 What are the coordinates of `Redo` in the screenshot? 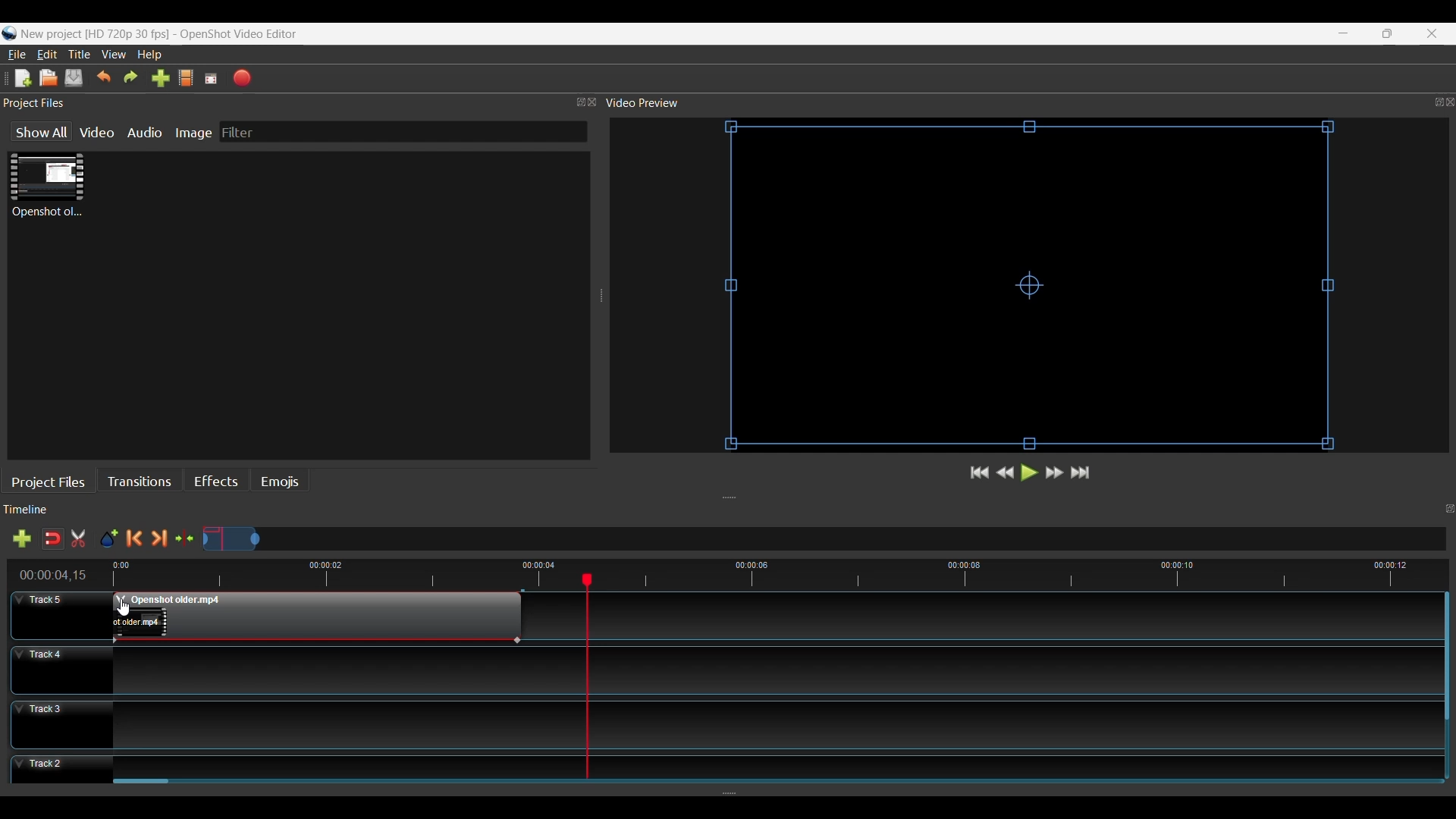 It's located at (131, 78).